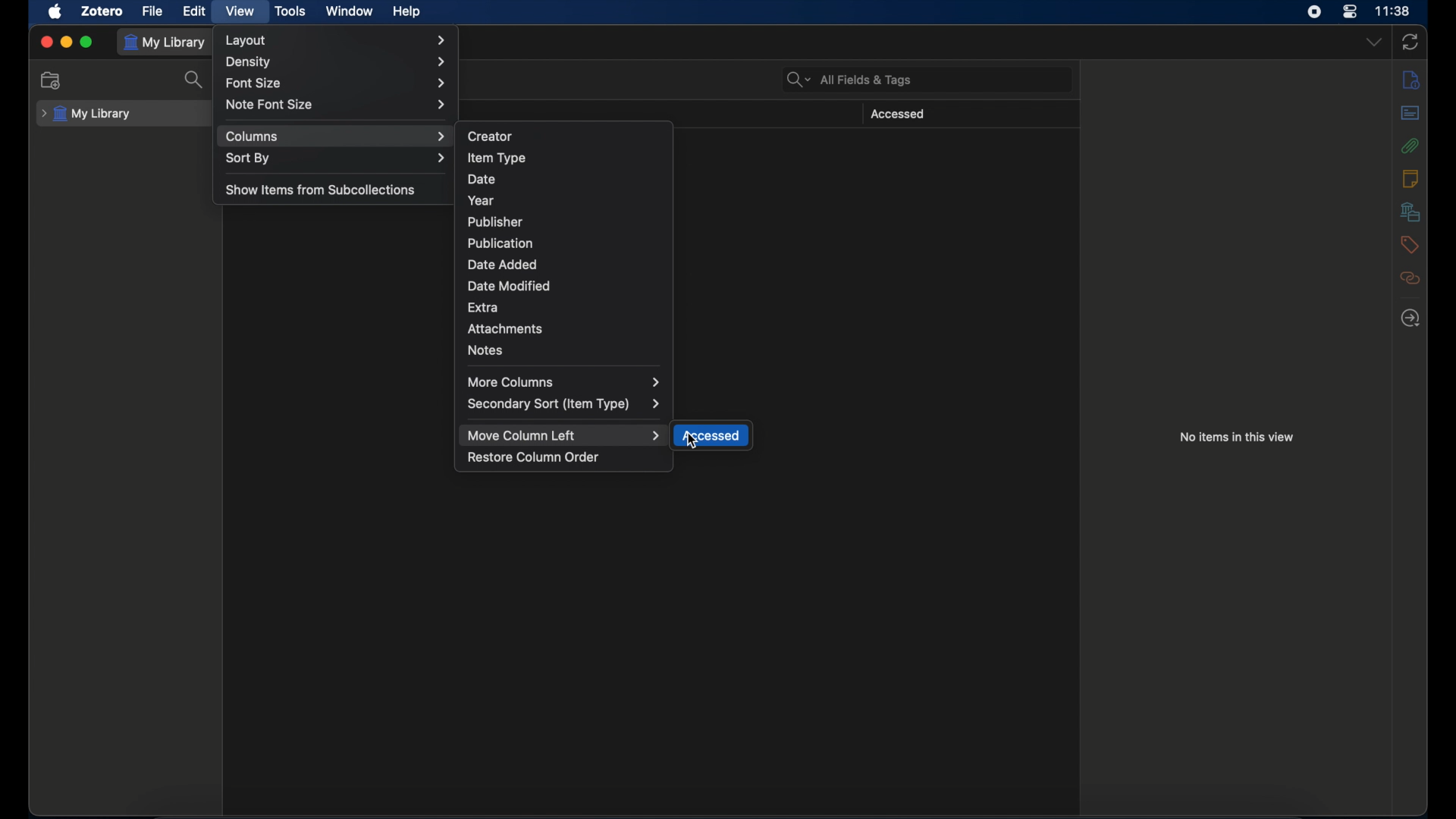 This screenshot has width=1456, height=819. I want to click on note font size, so click(337, 105).